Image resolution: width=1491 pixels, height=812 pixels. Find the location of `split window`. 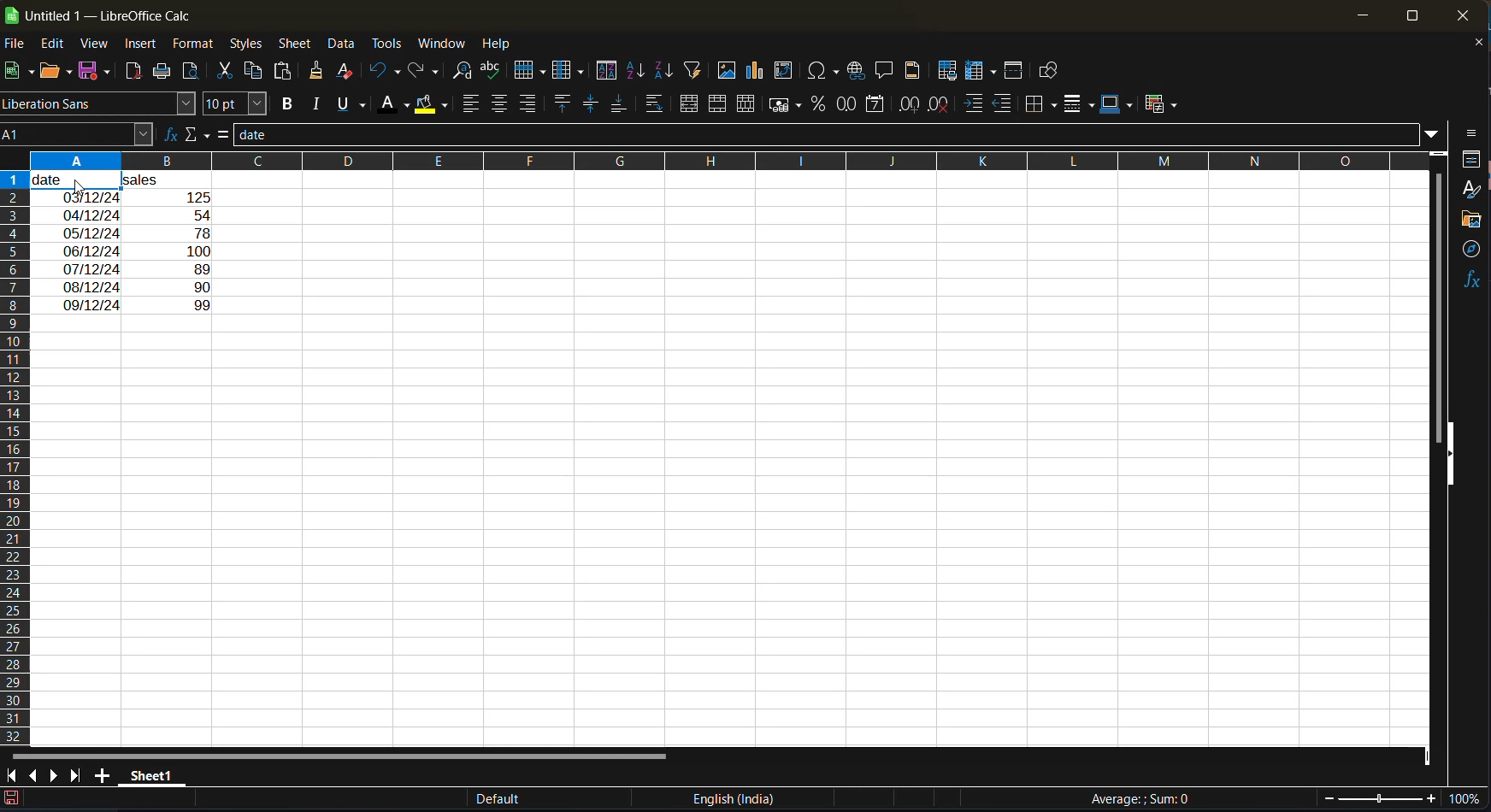

split window is located at coordinates (1014, 72).